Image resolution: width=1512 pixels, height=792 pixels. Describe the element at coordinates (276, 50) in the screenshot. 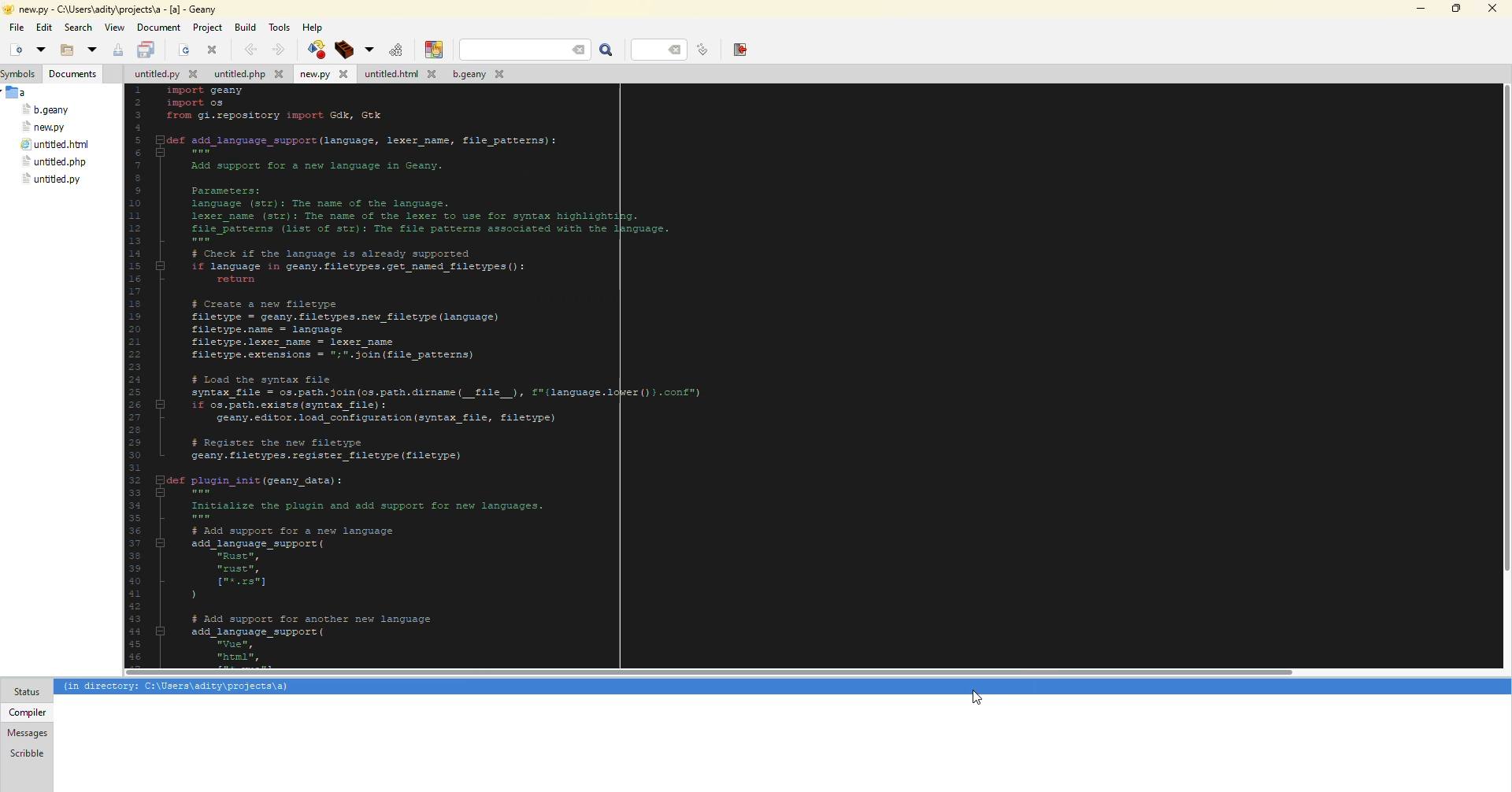

I see `forward` at that location.